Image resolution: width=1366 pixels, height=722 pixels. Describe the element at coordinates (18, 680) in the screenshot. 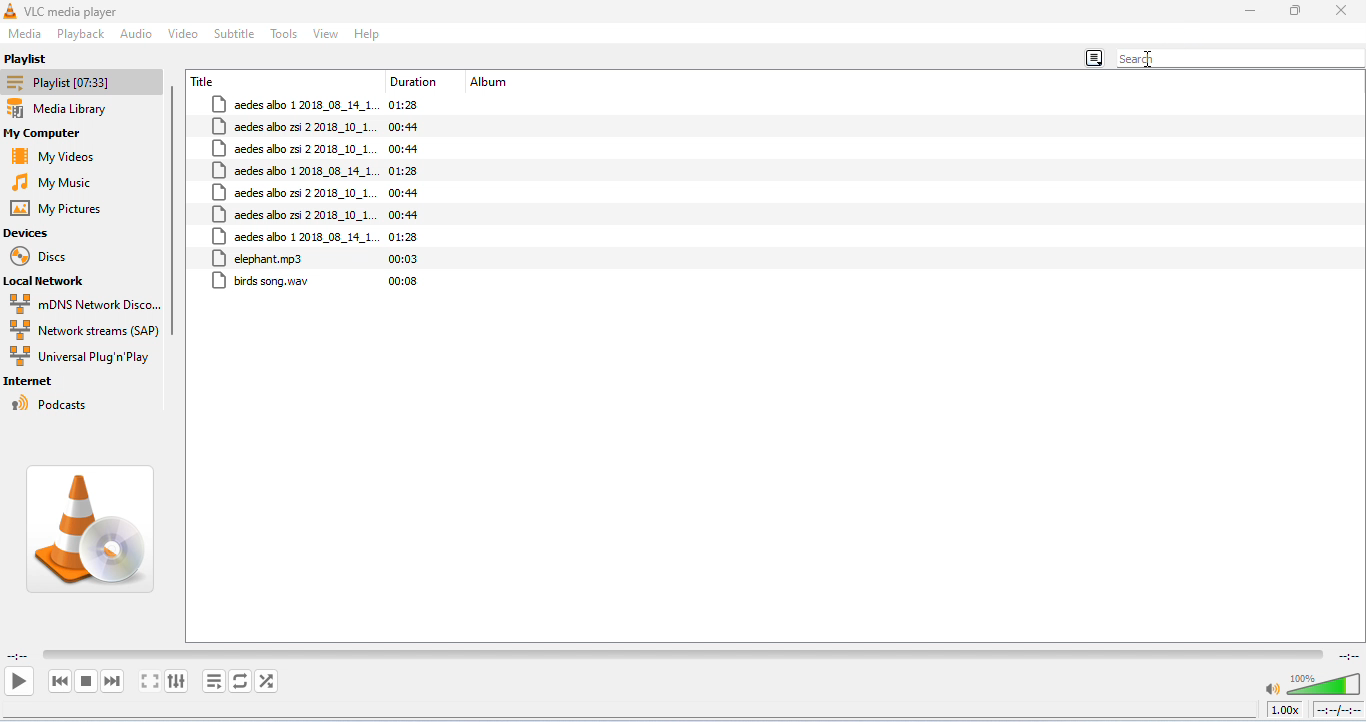

I see `play` at that location.